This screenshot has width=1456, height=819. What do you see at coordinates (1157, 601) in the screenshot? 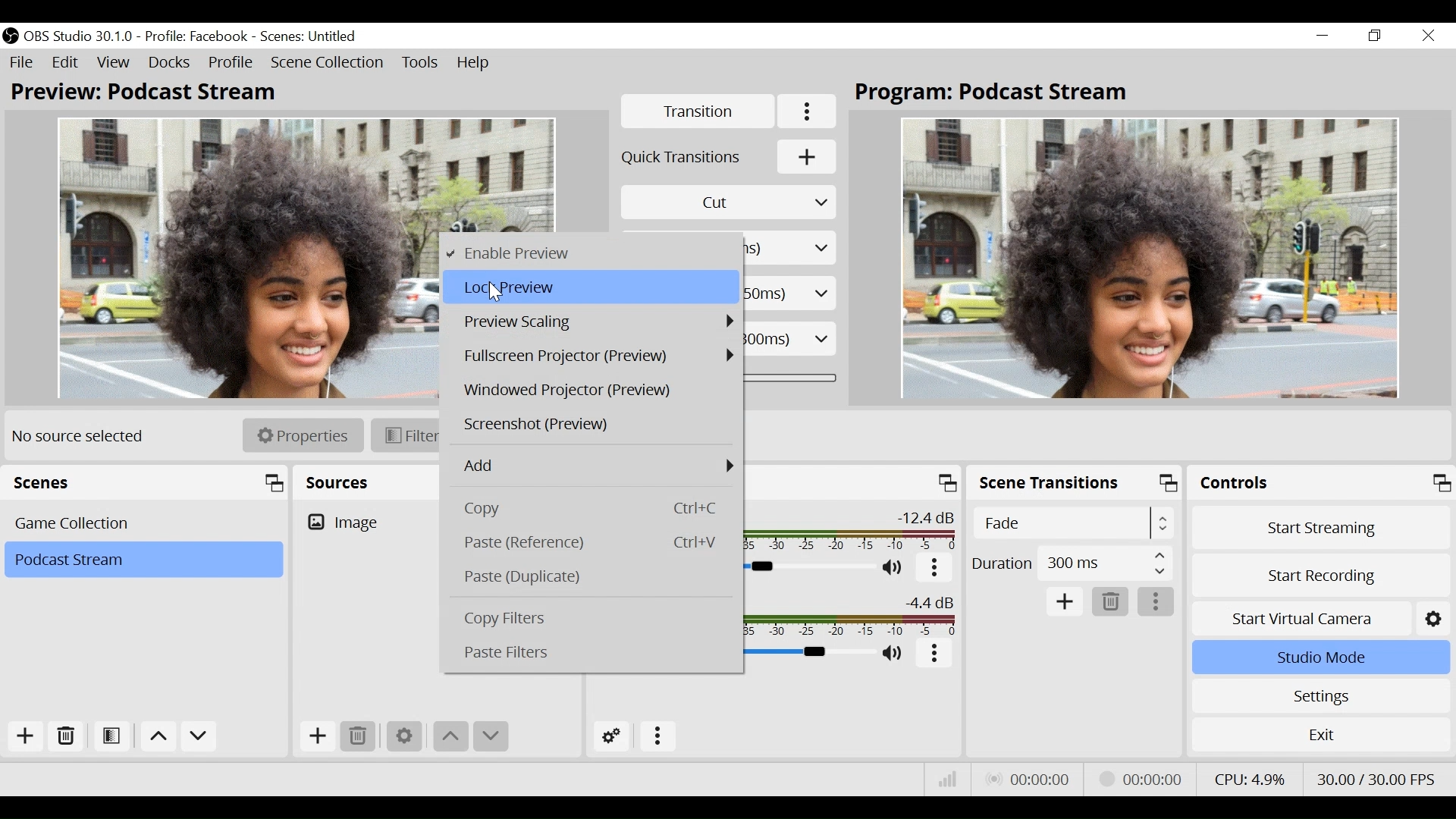
I see `more options` at bounding box center [1157, 601].